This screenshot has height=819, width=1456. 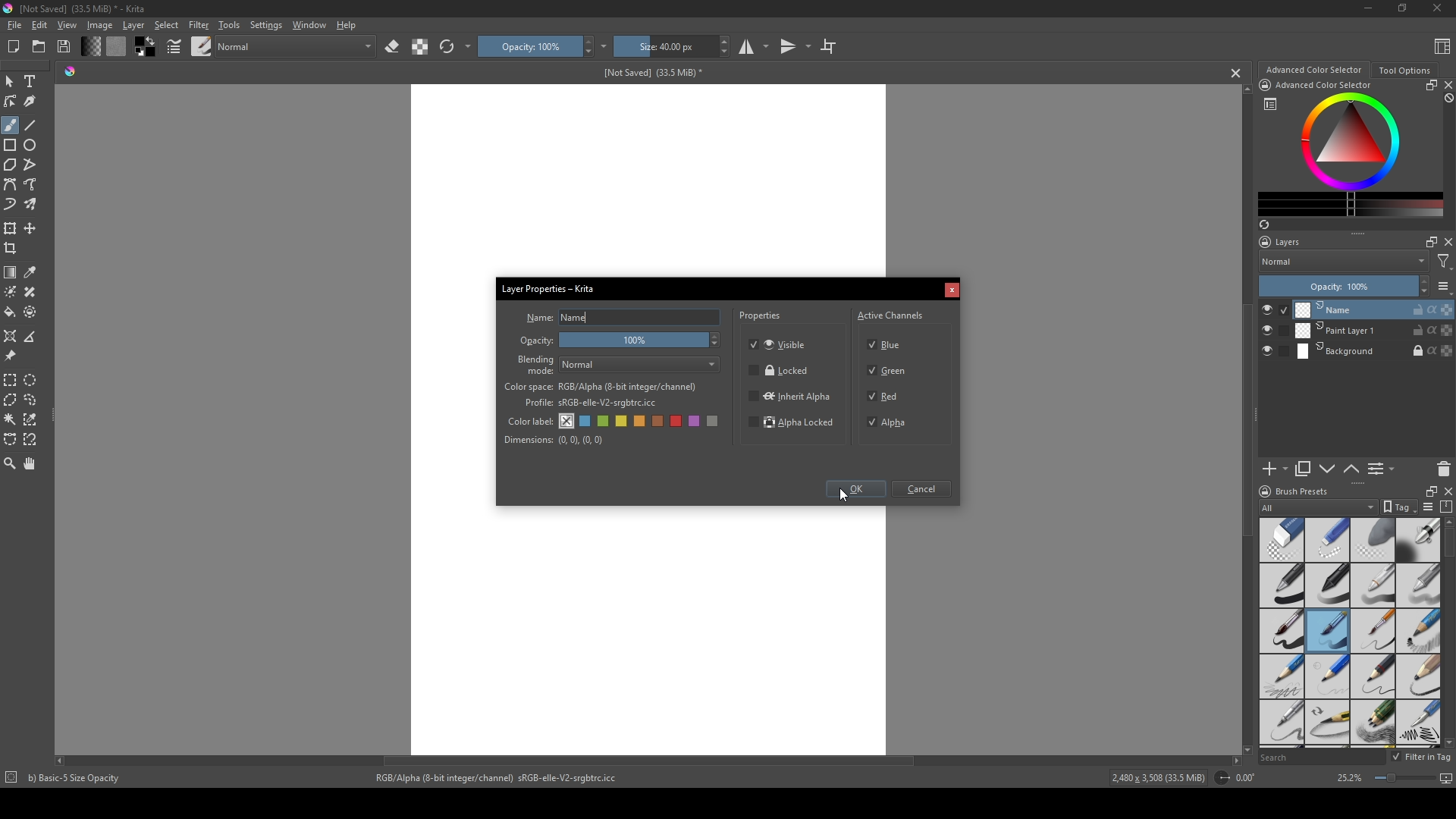 What do you see at coordinates (891, 422) in the screenshot?
I see `Alpha` at bounding box center [891, 422].